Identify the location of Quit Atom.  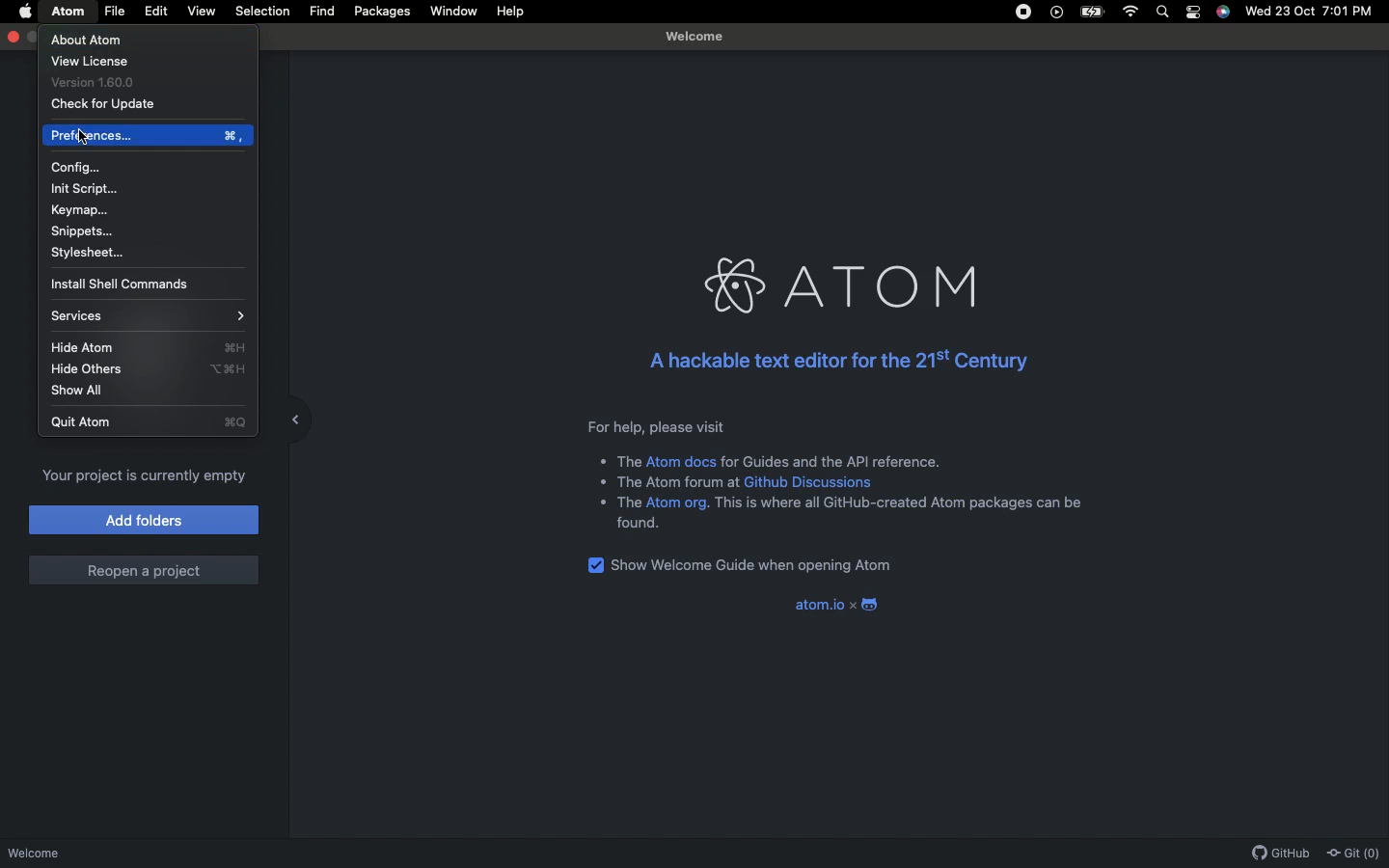
(147, 422).